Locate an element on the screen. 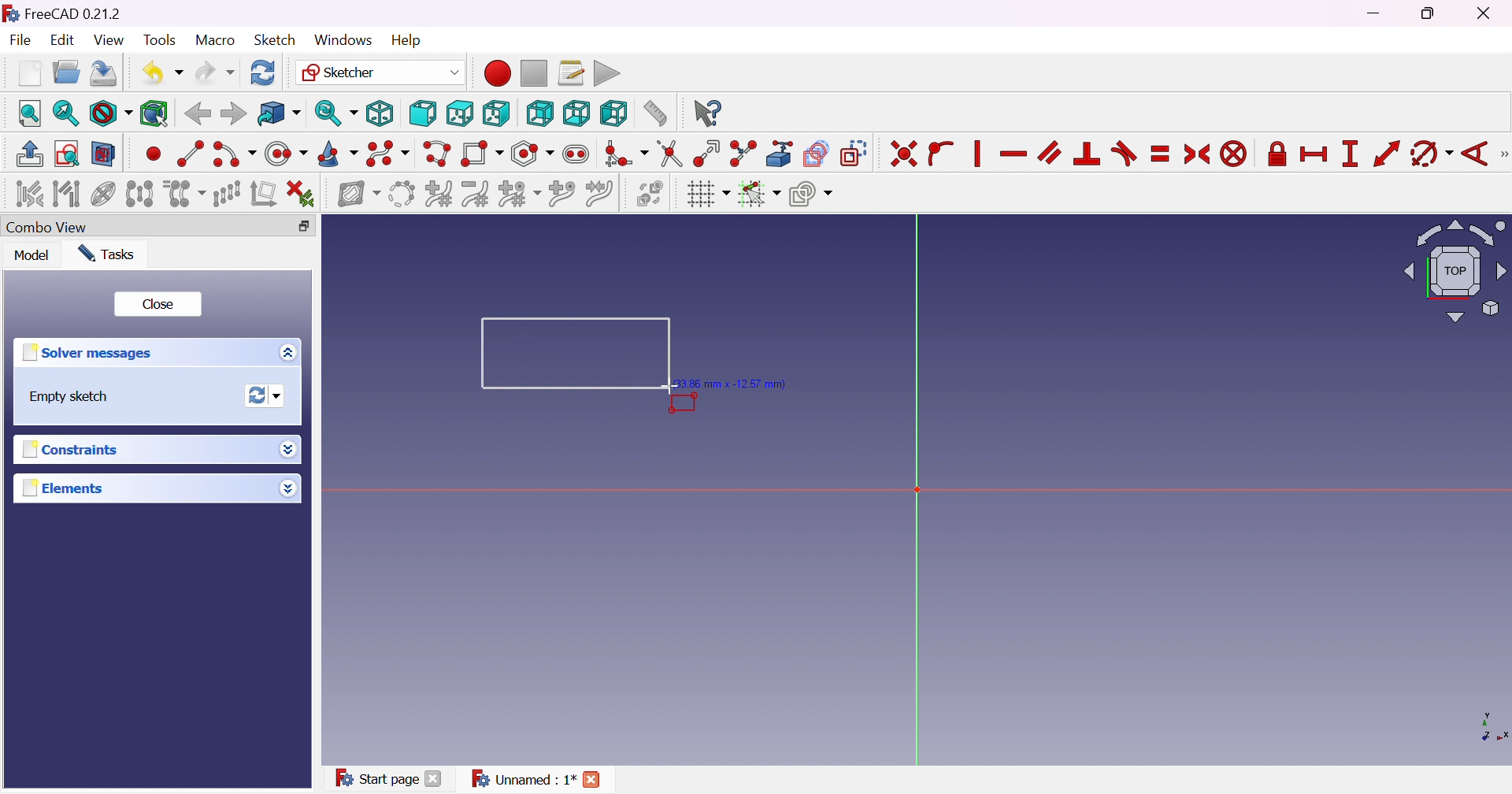  Modify knot multiplicity is located at coordinates (519, 193).